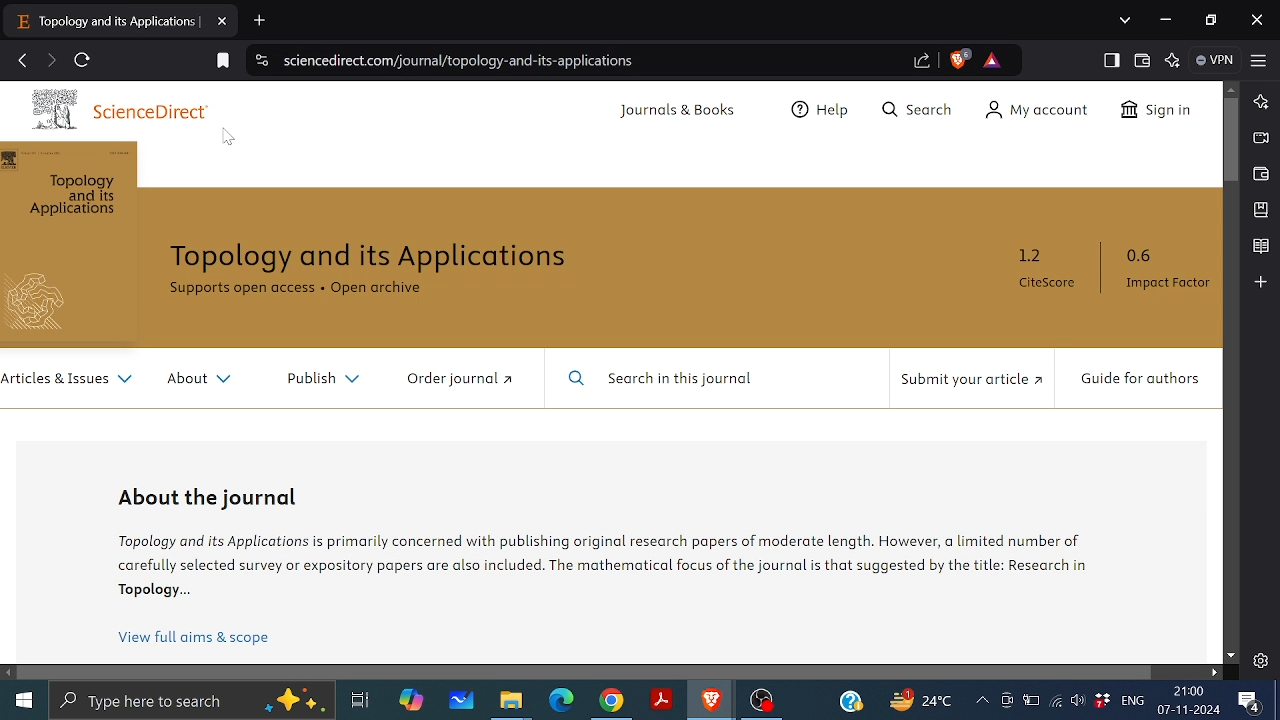 The image size is (1280, 720). Describe the element at coordinates (610, 571) in the screenshot. I see `Topology and its Applications is primarily concerned with publishing original research papers of moderate length. However, a limited number of
carefully selected survey or expository papers are also included. The mathematical focus of the journal is that suggested by the title: Research in
Topology...` at that location.